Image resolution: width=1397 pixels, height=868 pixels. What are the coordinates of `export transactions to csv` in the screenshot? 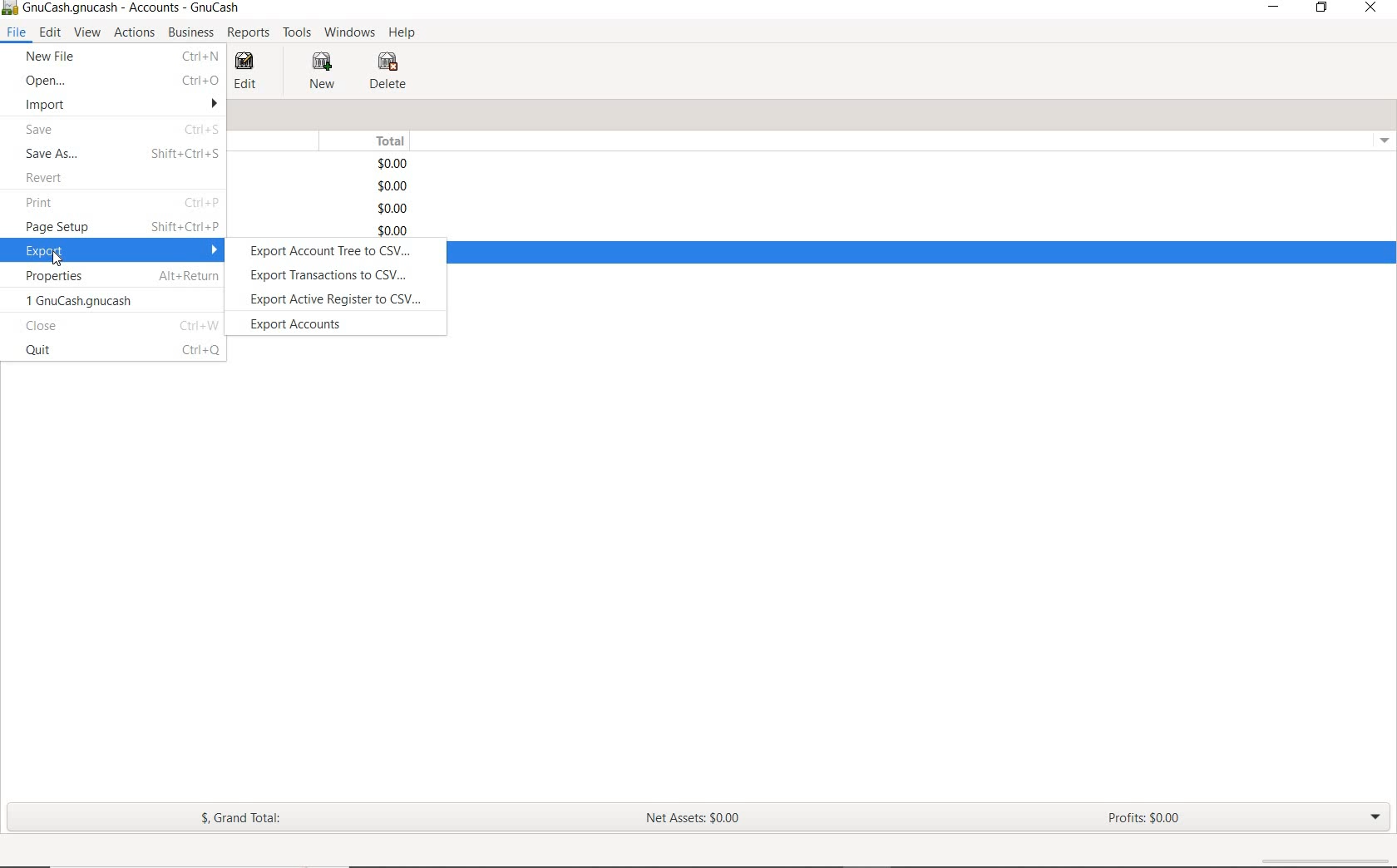 It's located at (343, 276).